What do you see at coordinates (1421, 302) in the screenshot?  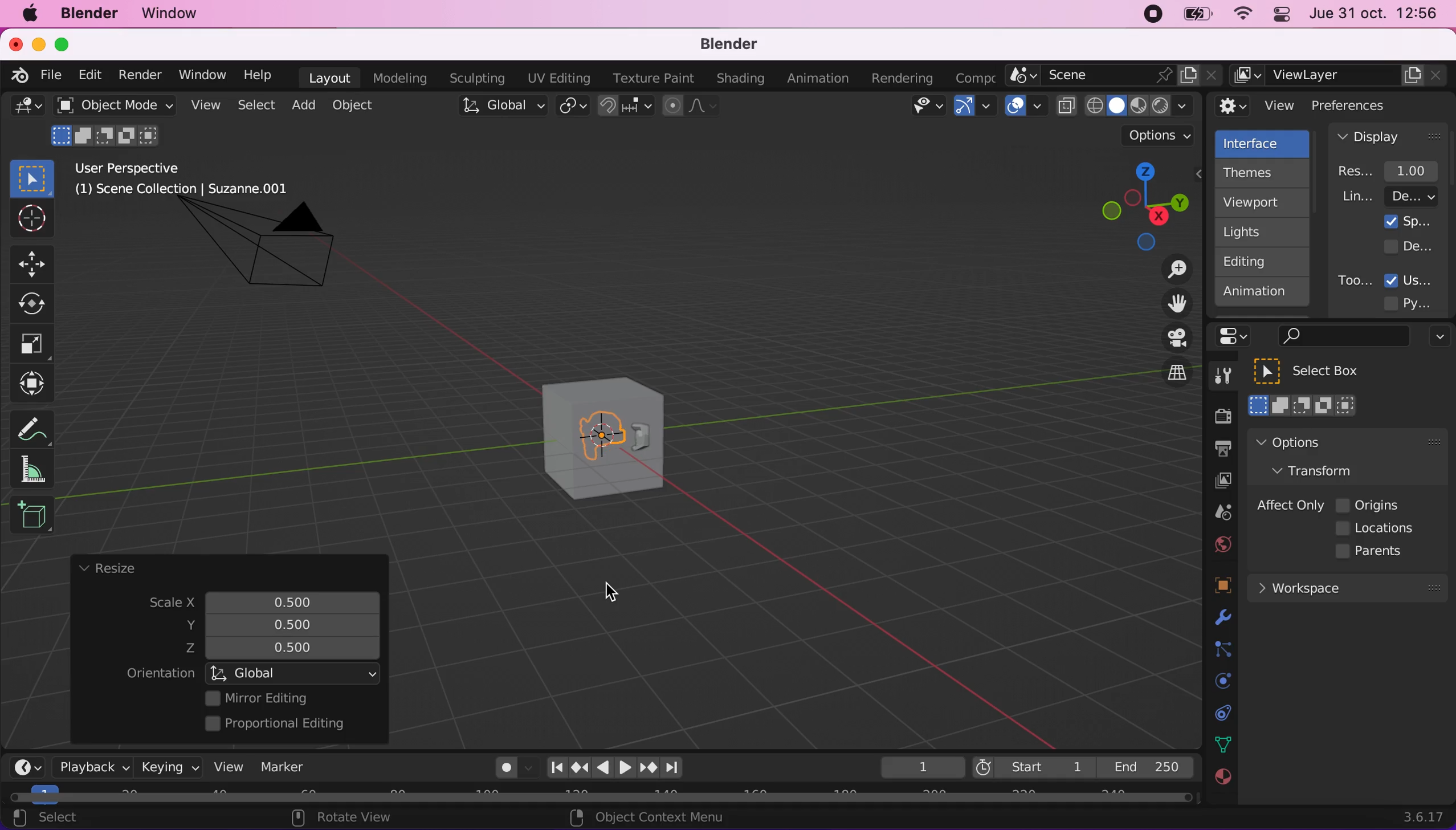 I see `python tooltips` at bounding box center [1421, 302].